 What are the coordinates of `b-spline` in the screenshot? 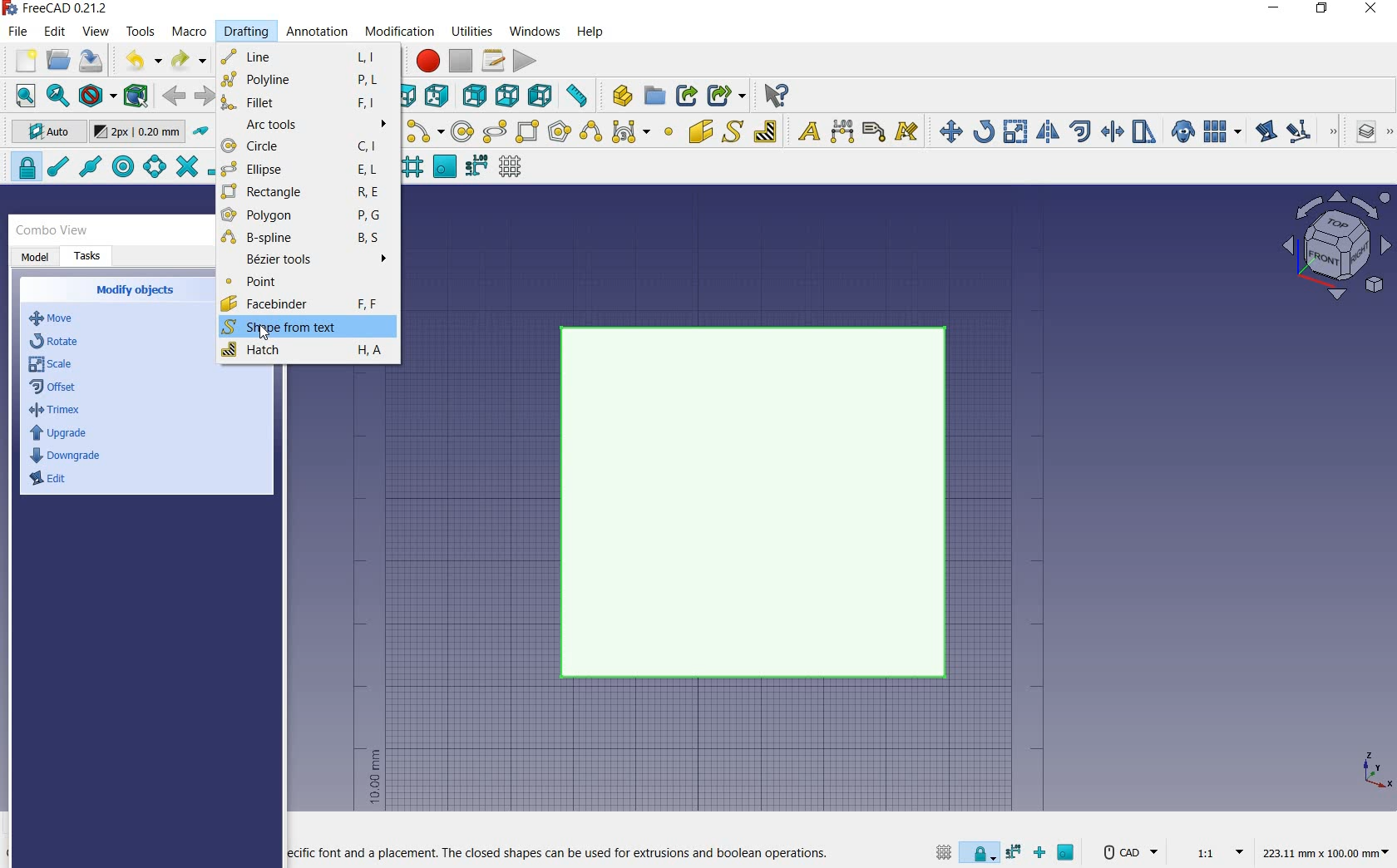 It's located at (304, 239).